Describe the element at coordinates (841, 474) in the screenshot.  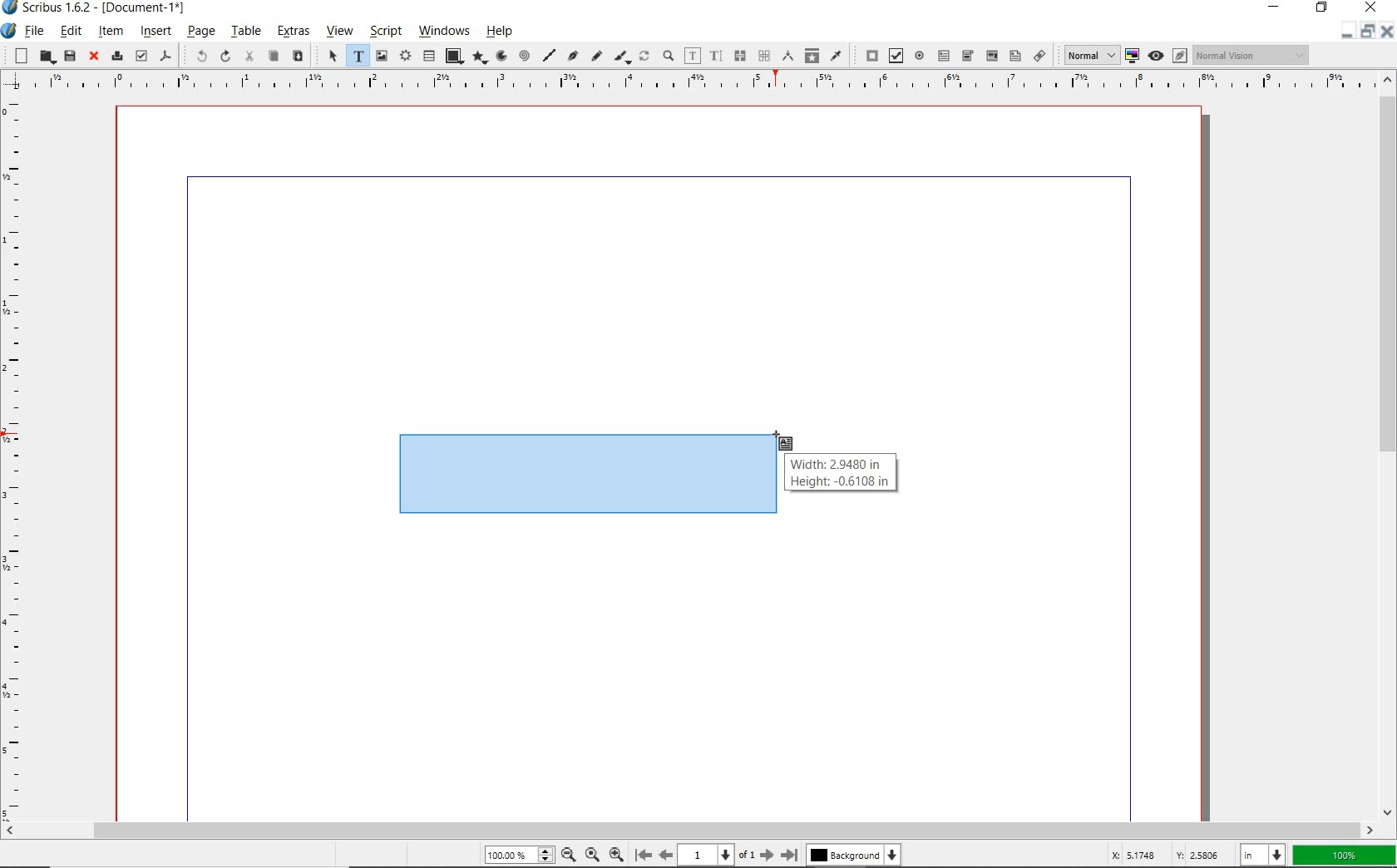
I see `Width: 2.9480 in Height: -0.6108 in` at that location.